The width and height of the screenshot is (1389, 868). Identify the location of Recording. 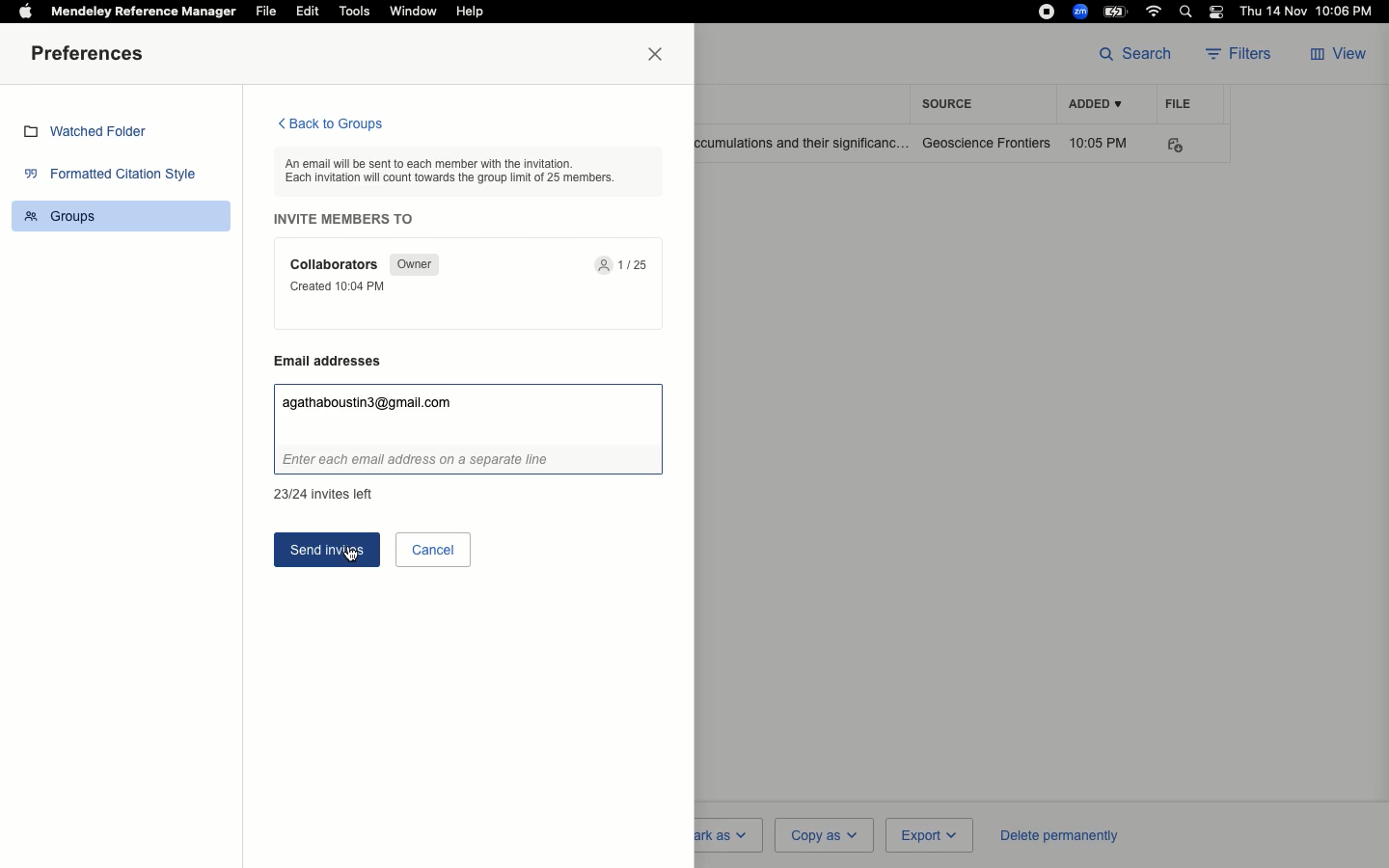
(1047, 12).